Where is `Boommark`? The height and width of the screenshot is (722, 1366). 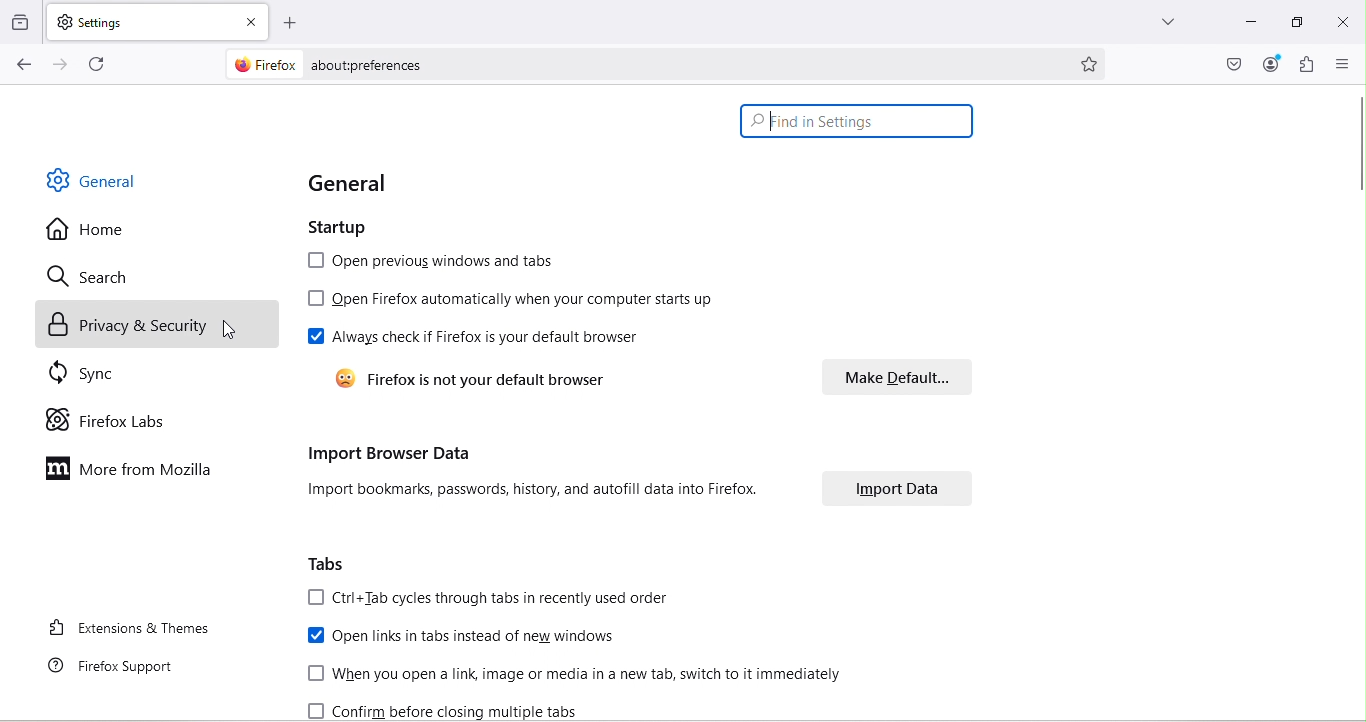
Boommark is located at coordinates (1095, 62).